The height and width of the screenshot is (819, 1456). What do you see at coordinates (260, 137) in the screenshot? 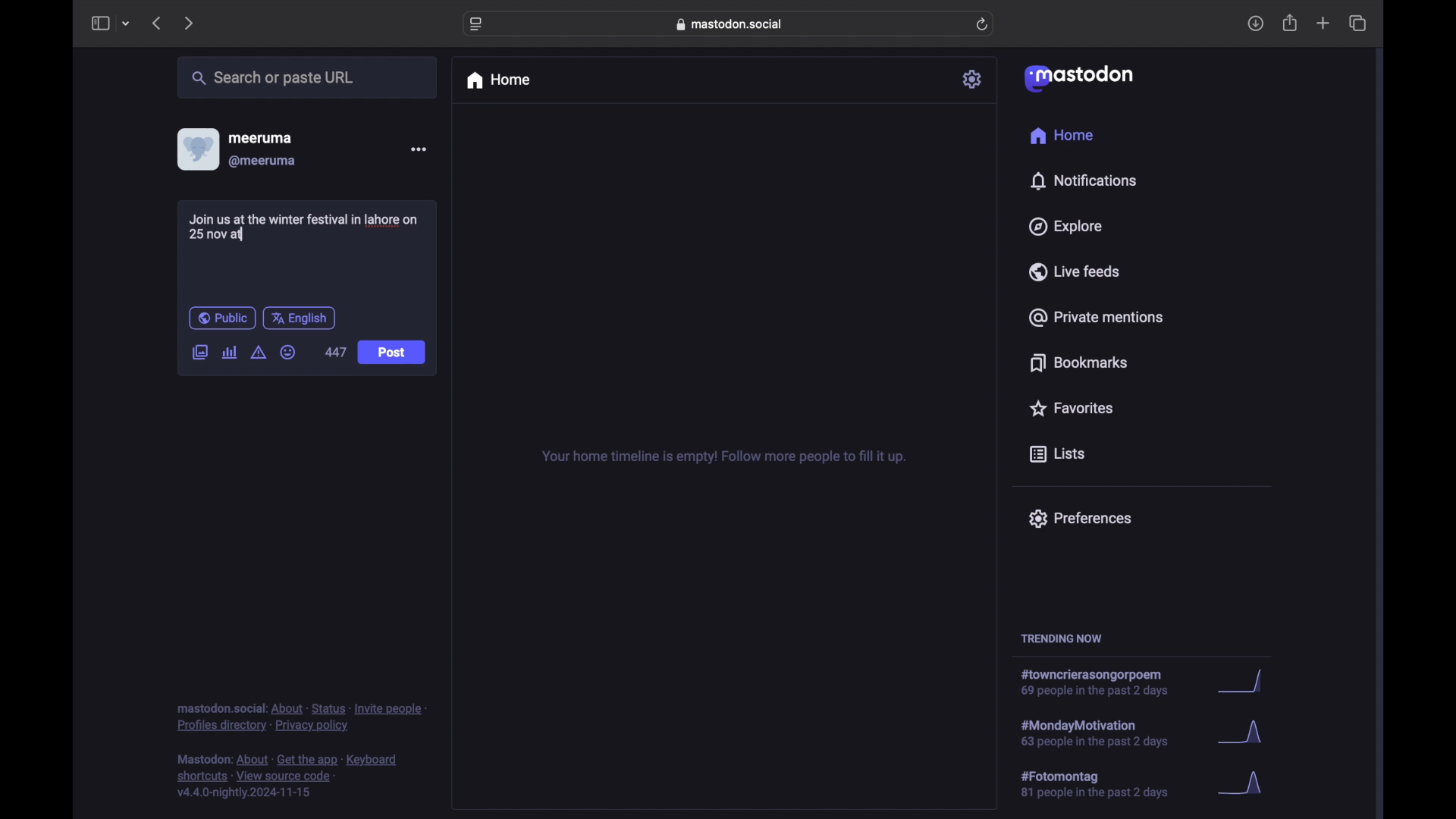
I see `meeruma` at bounding box center [260, 137].